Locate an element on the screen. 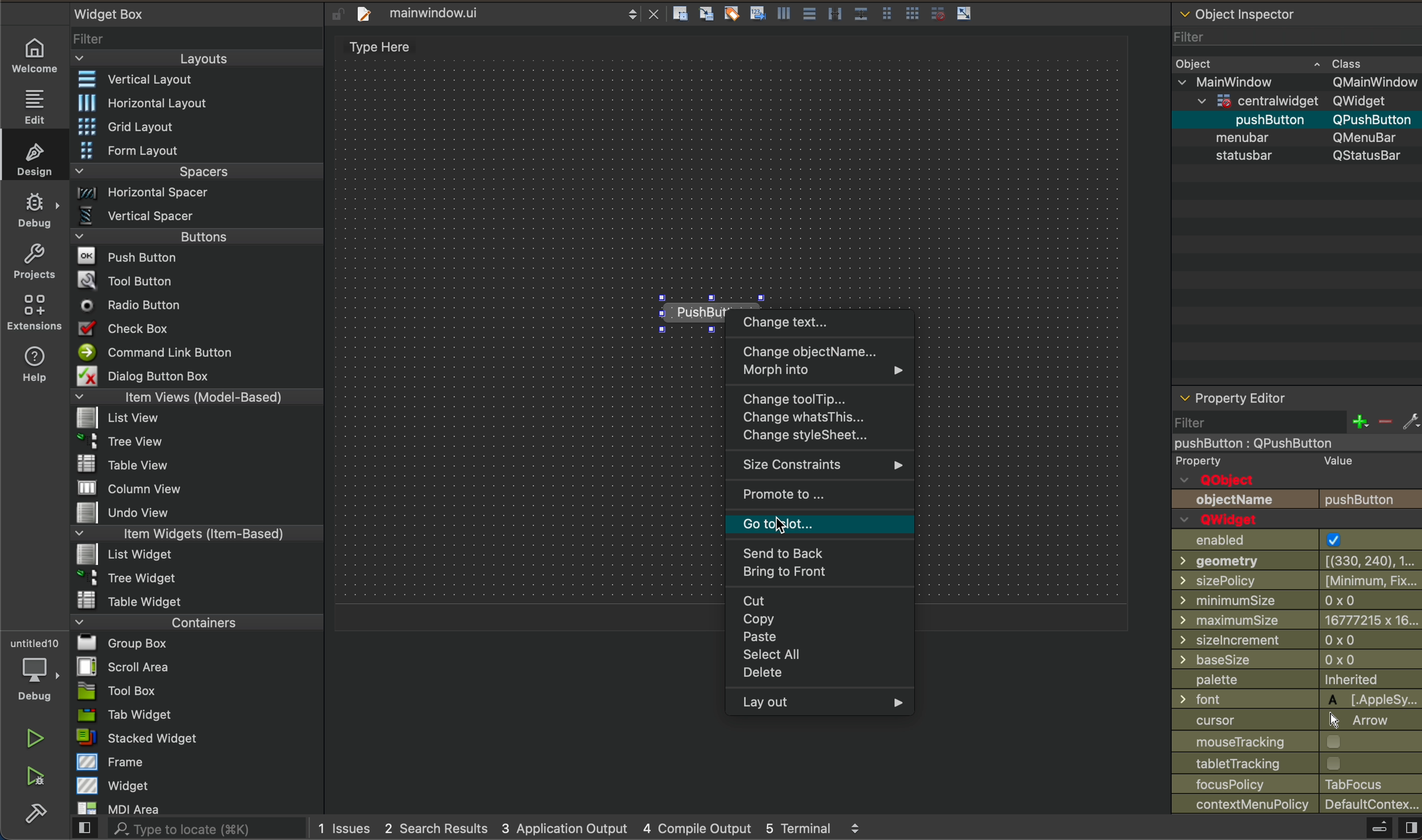  buttons is located at coordinates (195, 237).